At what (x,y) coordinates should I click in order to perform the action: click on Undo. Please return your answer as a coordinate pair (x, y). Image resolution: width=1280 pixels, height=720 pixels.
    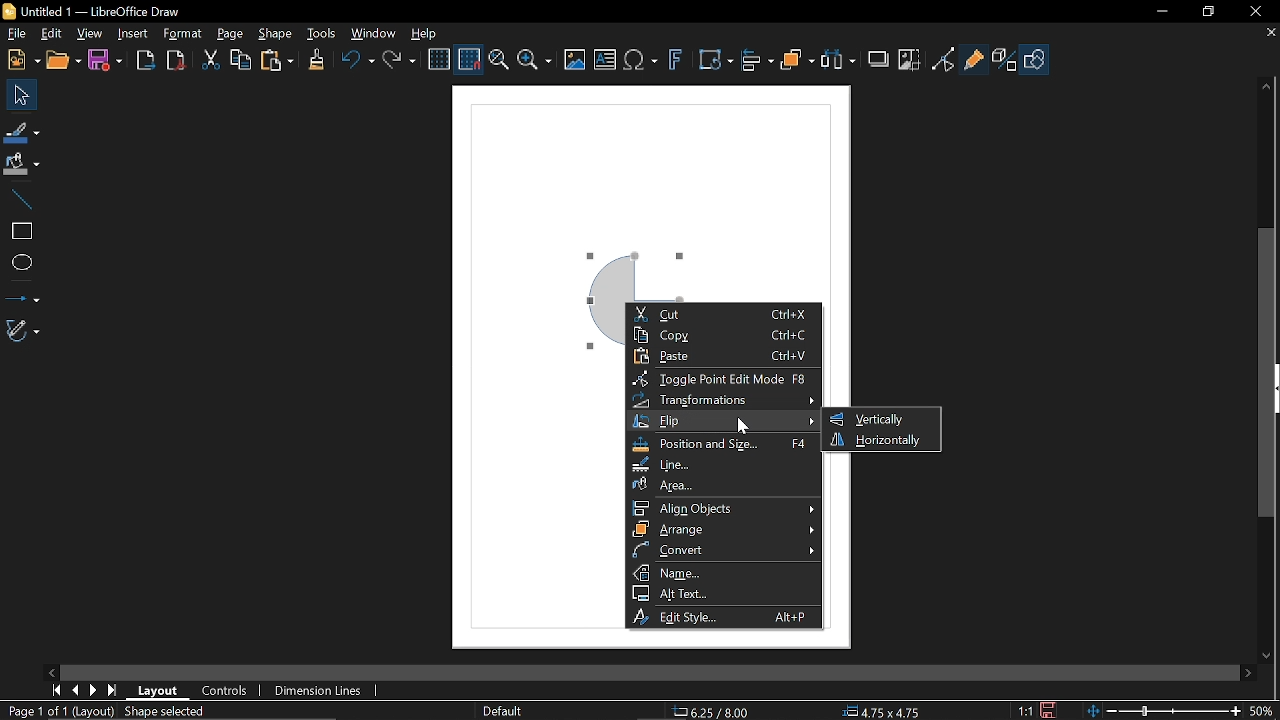
    Looking at the image, I should click on (358, 62).